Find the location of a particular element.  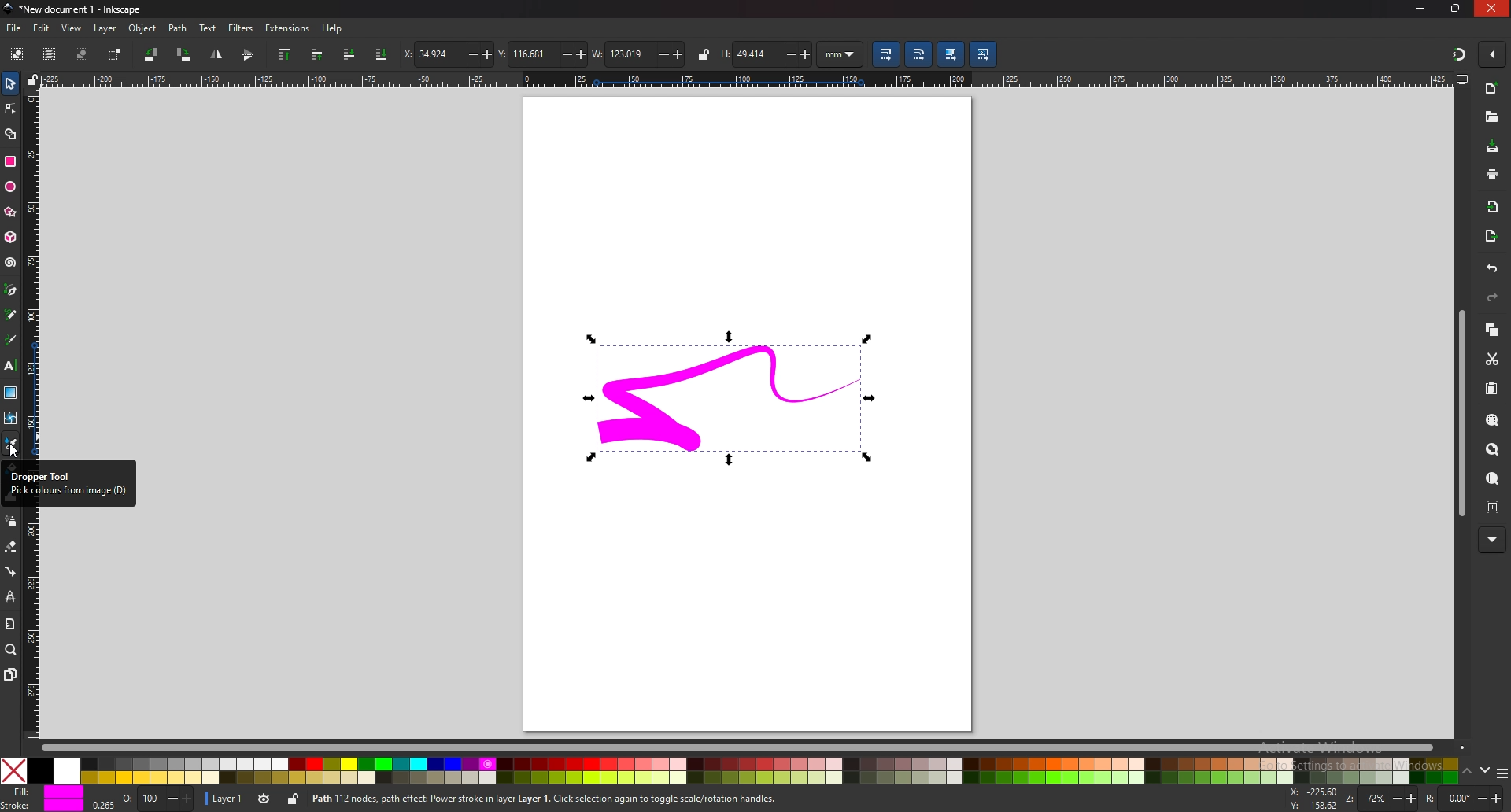

x and y coordinates is located at coordinates (1315, 798).